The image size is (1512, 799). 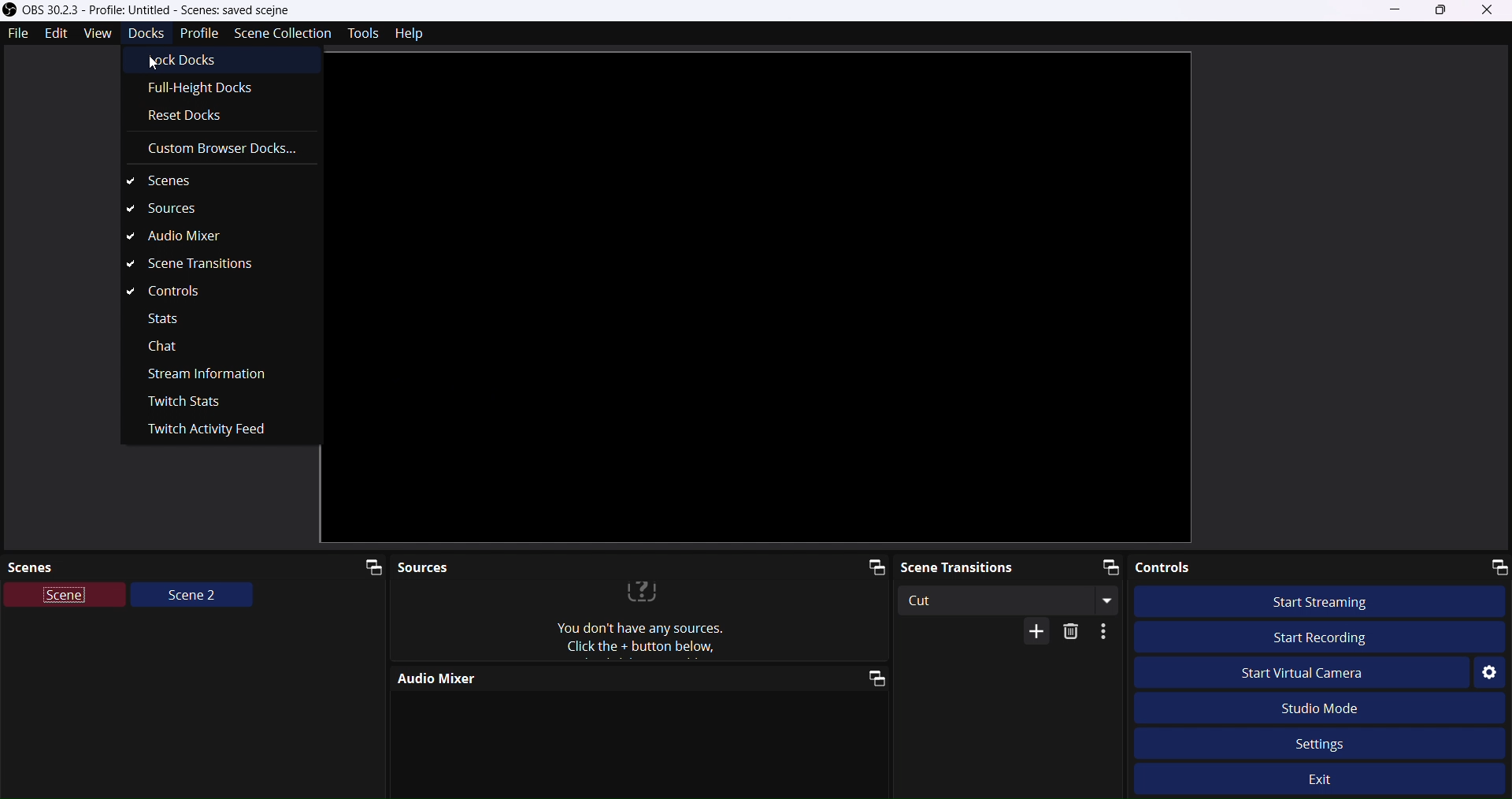 What do you see at coordinates (180, 9) in the screenshot?
I see `OBS S30.2.3 - profile: Untitled - Scenes: saved scejne` at bounding box center [180, 9].